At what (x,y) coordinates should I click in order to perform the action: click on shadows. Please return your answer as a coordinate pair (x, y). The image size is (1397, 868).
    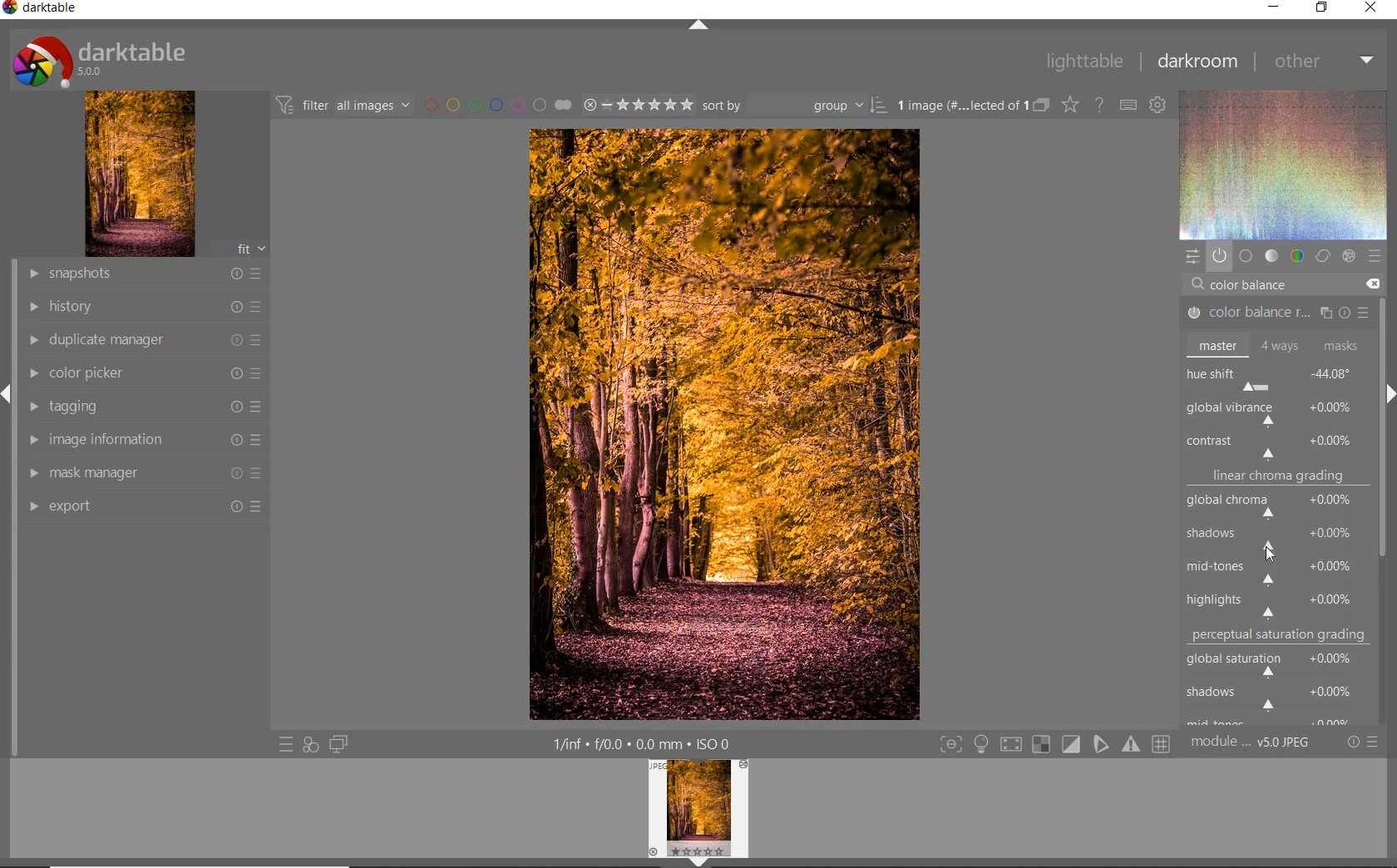
    Looking at the image, I should click on (1276, 696).